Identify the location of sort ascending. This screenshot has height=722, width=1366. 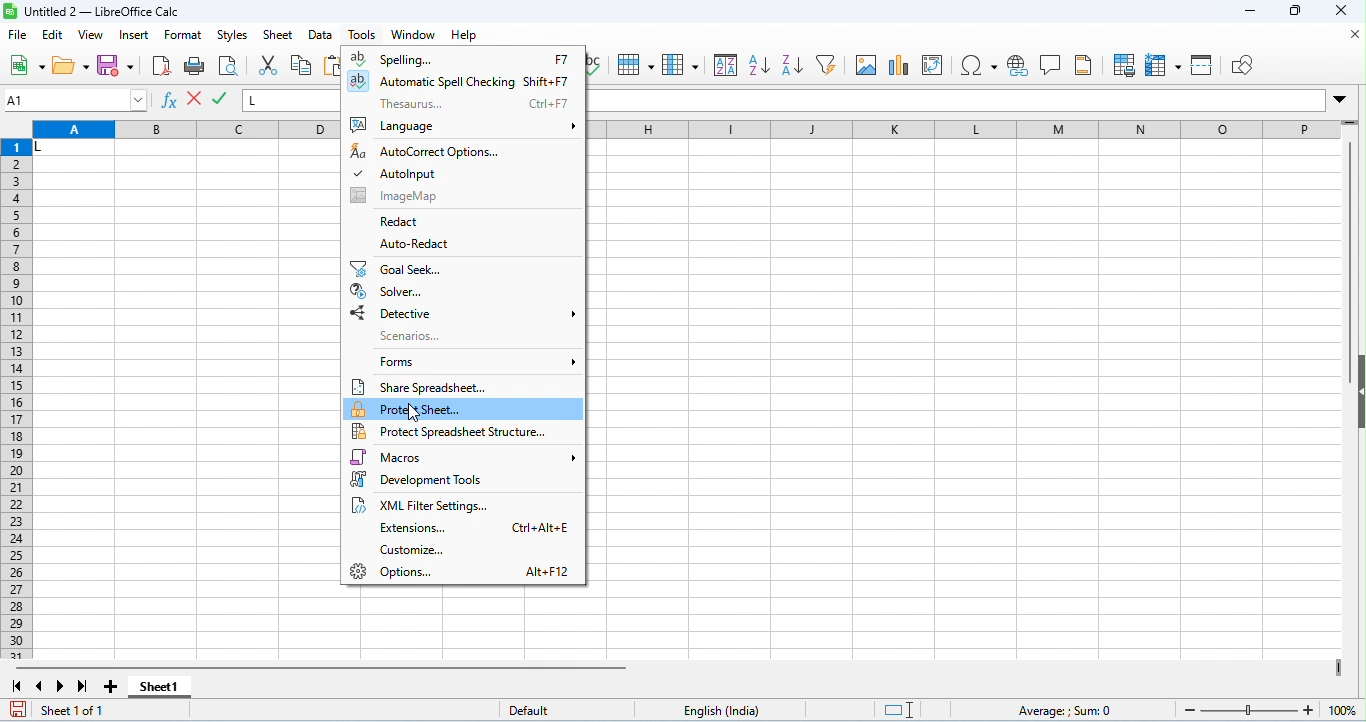
(759, 65).